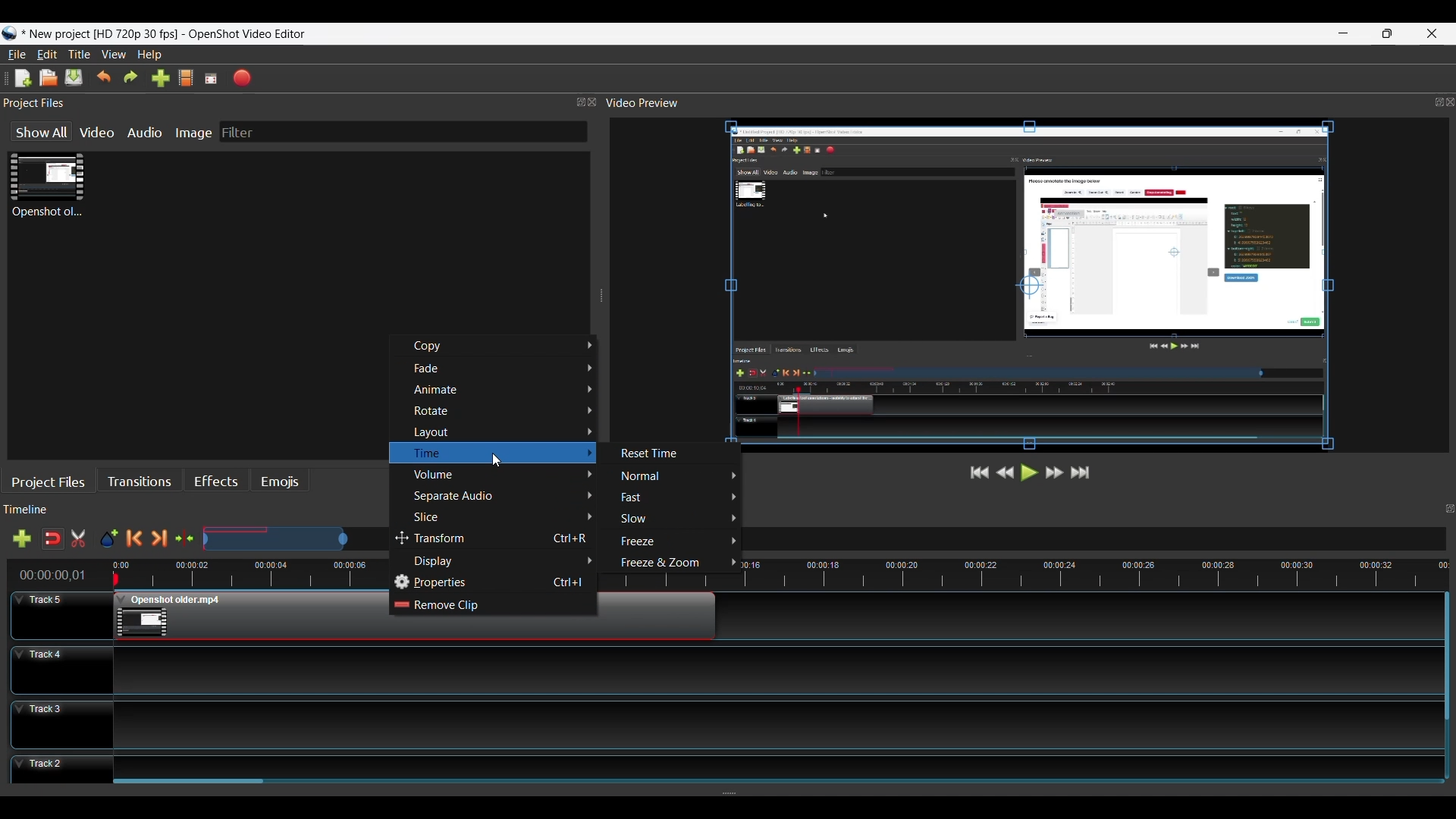  What do you see at coordinates (108, 540) in the screenshot?
I see `Add Marker` at bounding box center [108, 540].